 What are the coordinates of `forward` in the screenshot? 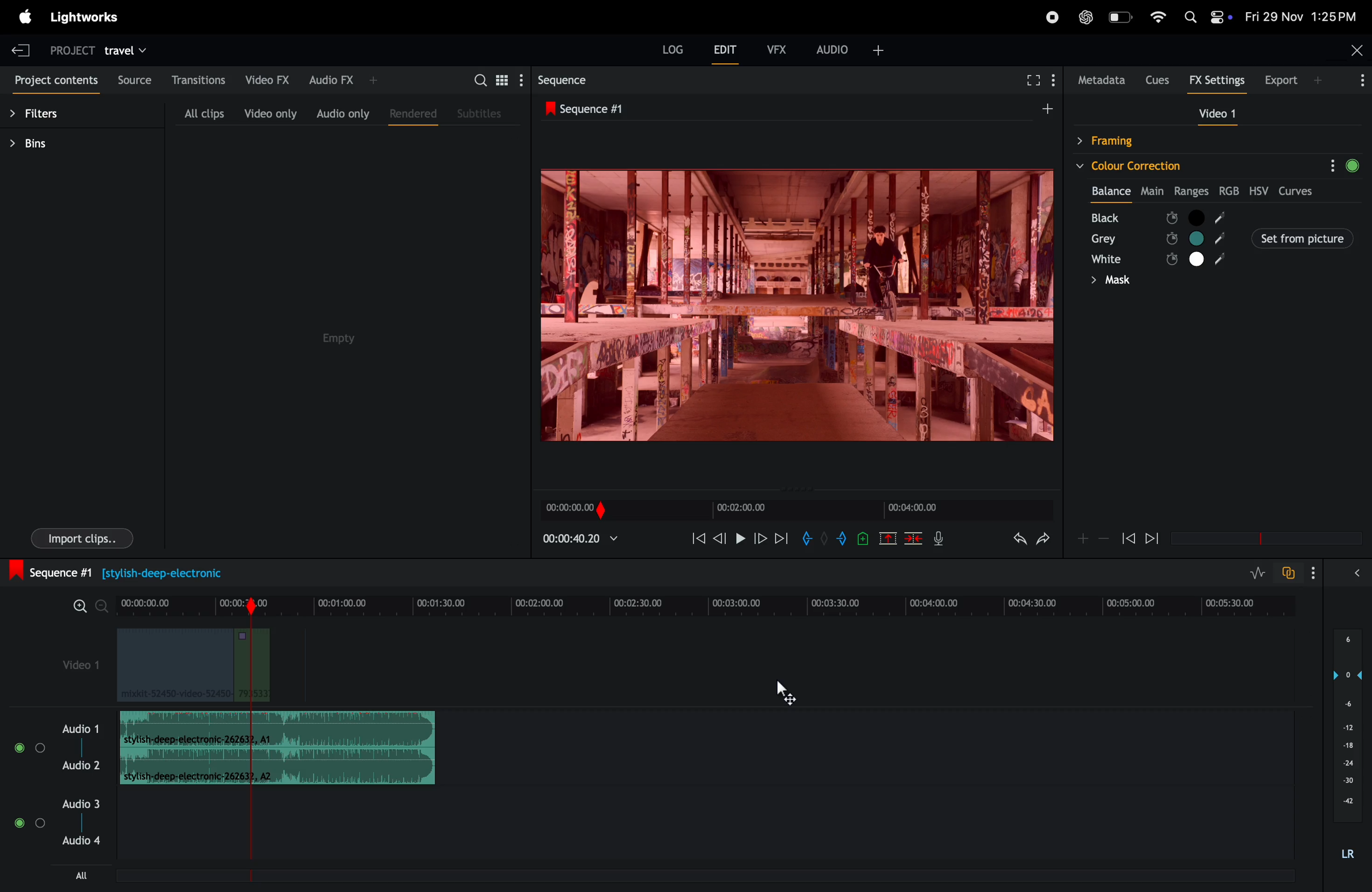 It's located at (1150, 540).